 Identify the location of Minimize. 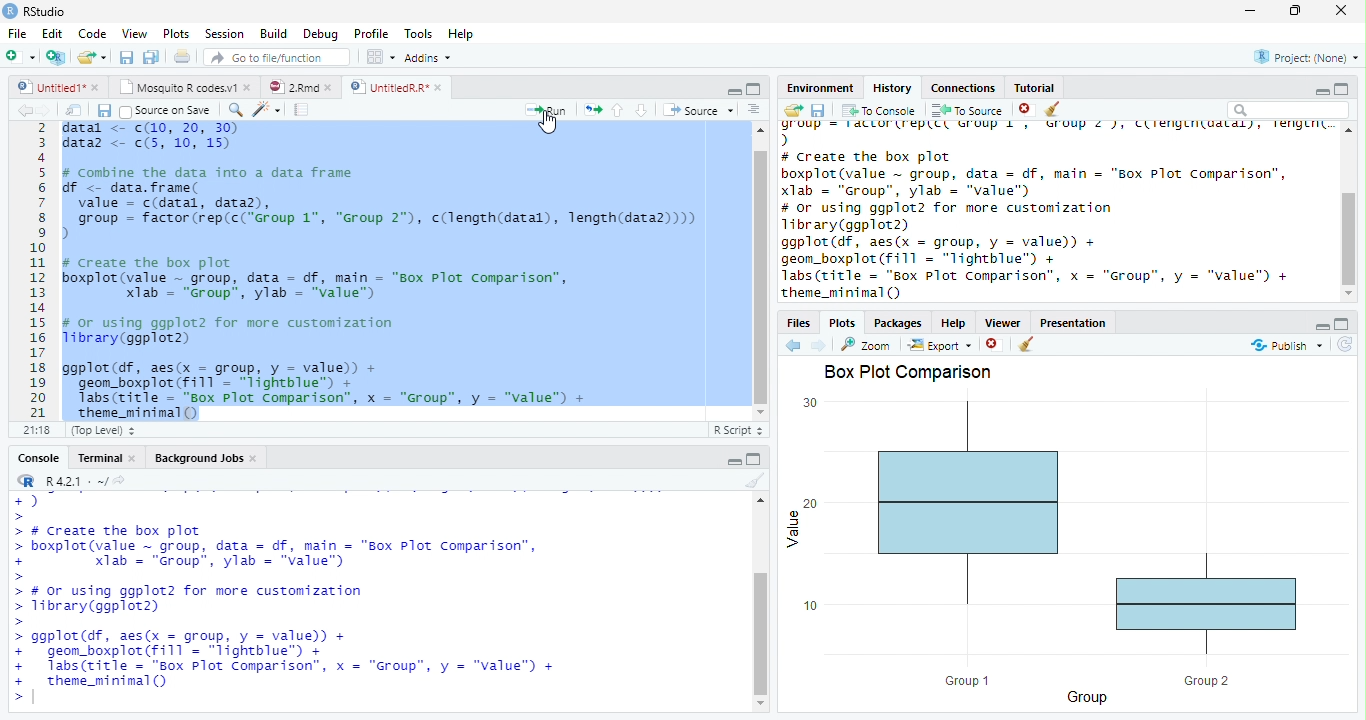
(1321, 92).